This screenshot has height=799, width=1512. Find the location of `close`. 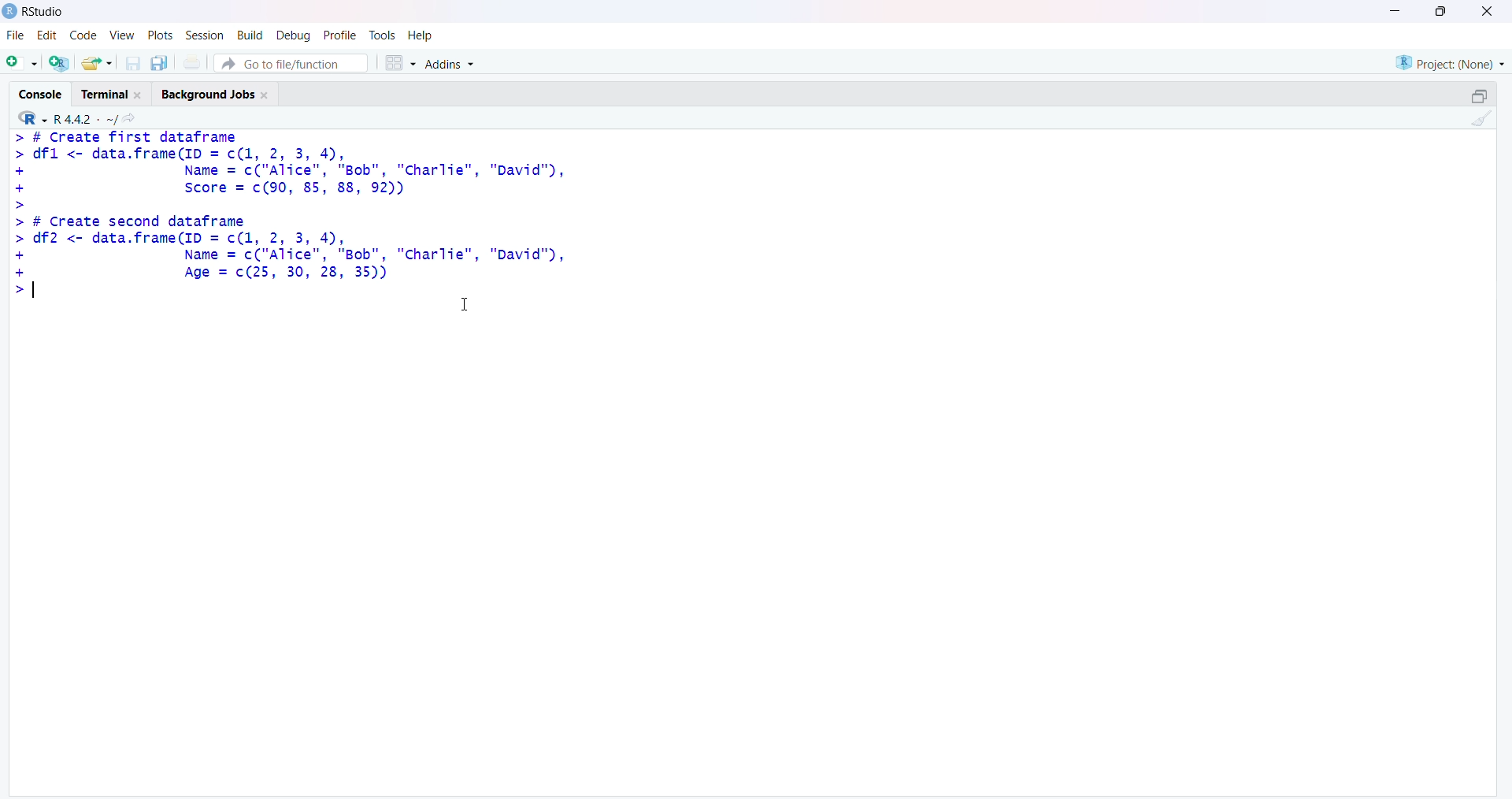

close is located at coordinates (139, 95).